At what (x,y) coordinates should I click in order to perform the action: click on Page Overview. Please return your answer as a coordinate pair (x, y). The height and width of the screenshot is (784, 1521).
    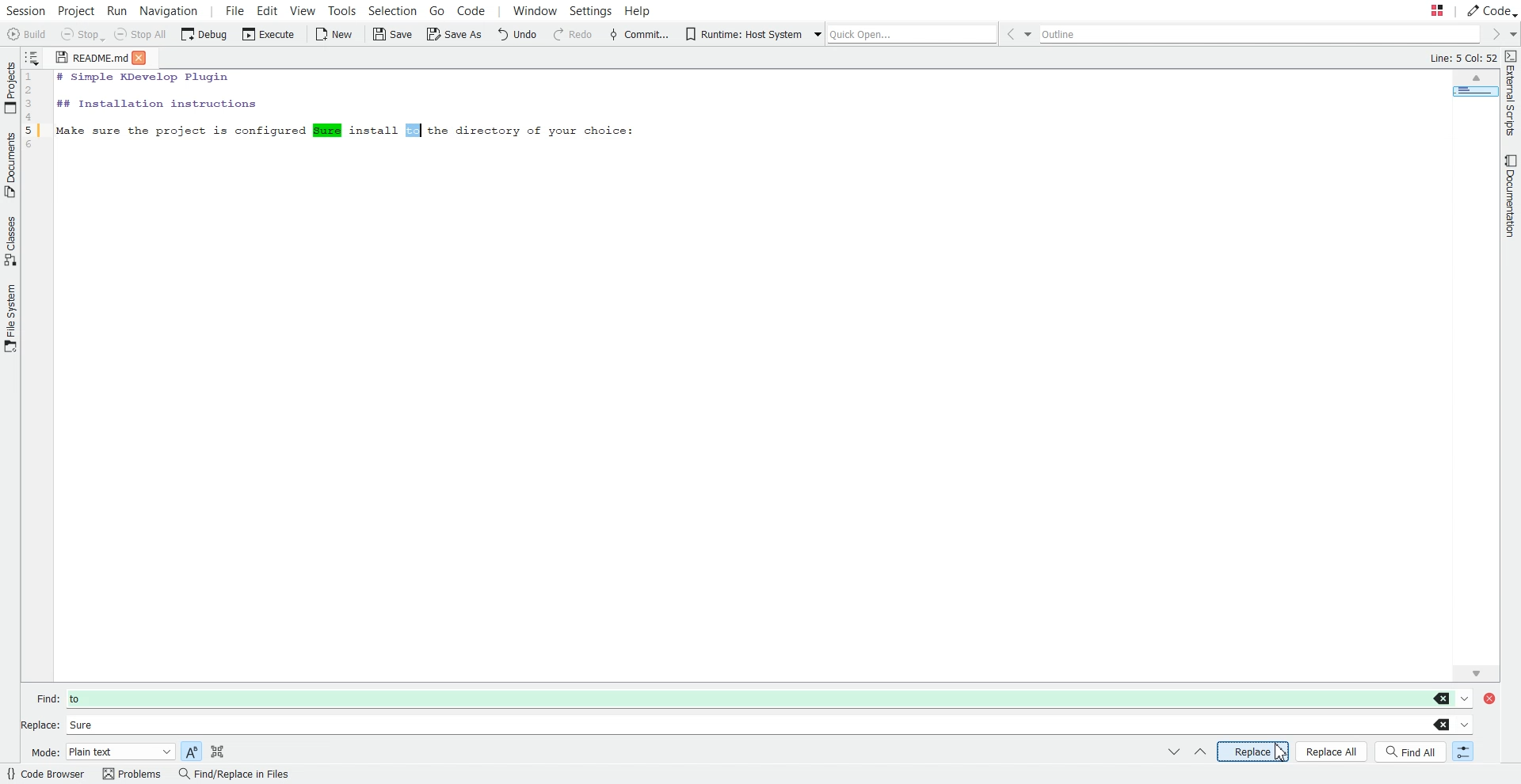
    Looking at the image, I should click on (1473, 94).